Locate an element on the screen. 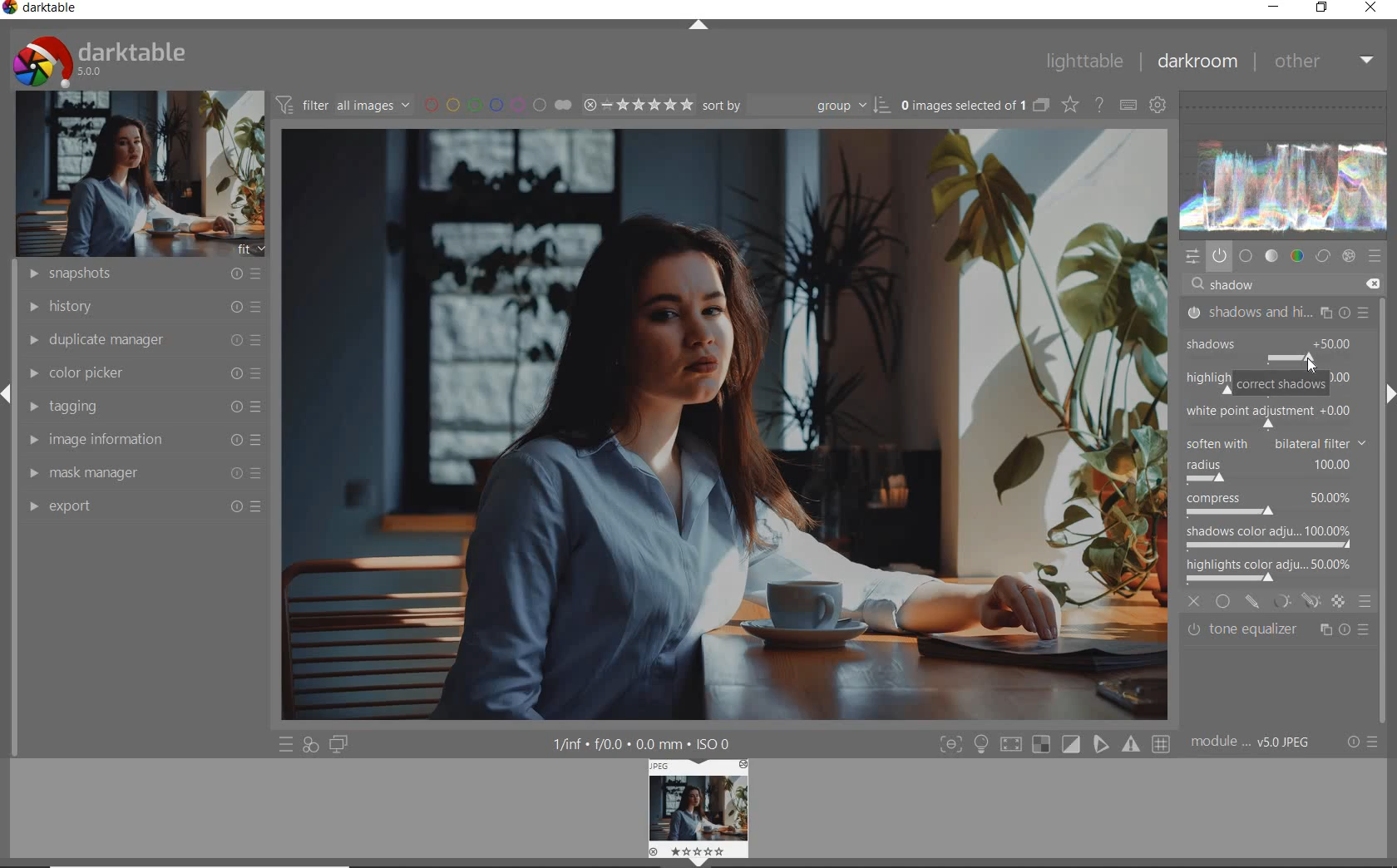 This screenshot has width=1397, height=868. image is located at coordinates (134, 175).